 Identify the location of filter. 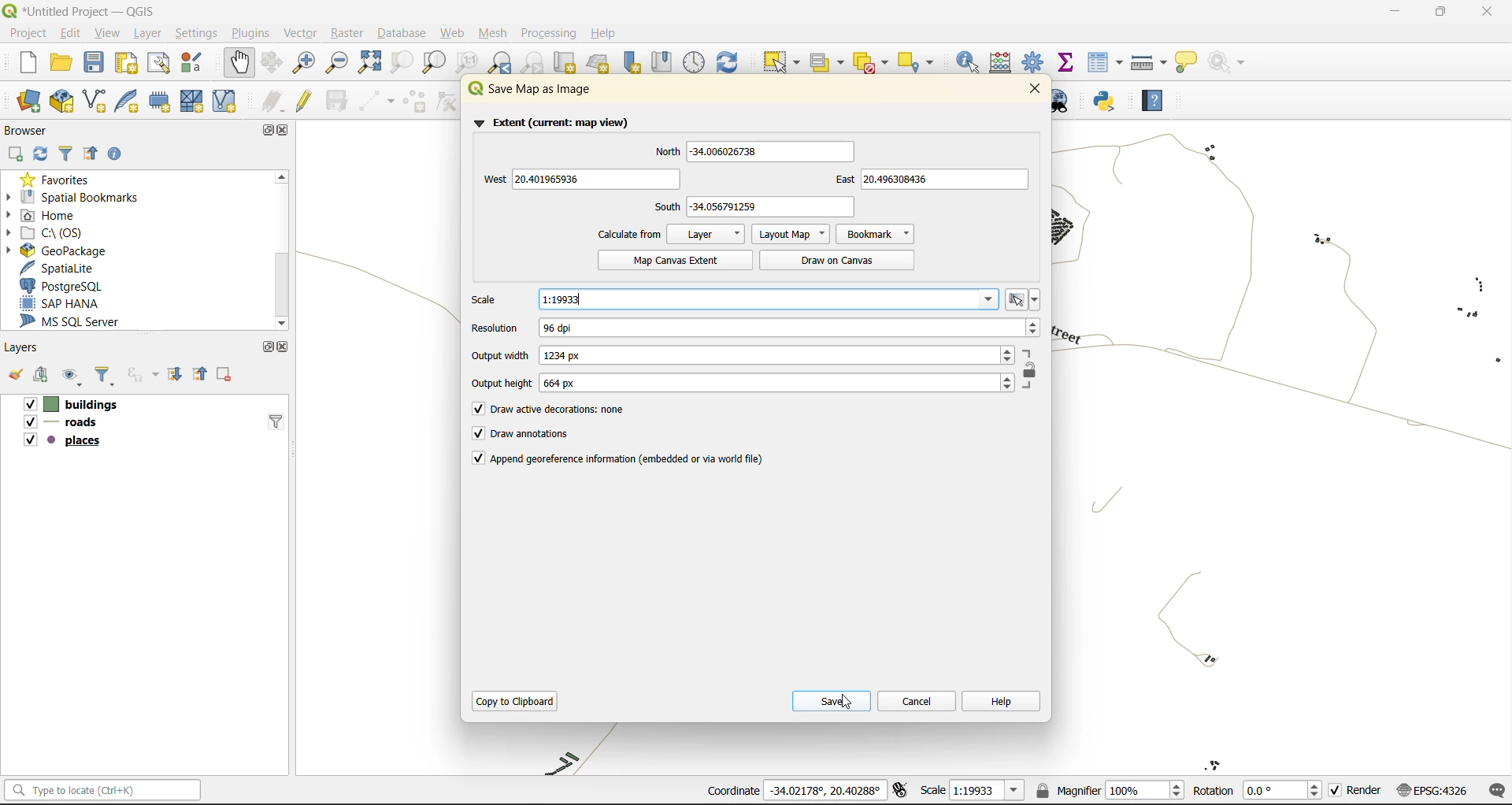
(104, 378).